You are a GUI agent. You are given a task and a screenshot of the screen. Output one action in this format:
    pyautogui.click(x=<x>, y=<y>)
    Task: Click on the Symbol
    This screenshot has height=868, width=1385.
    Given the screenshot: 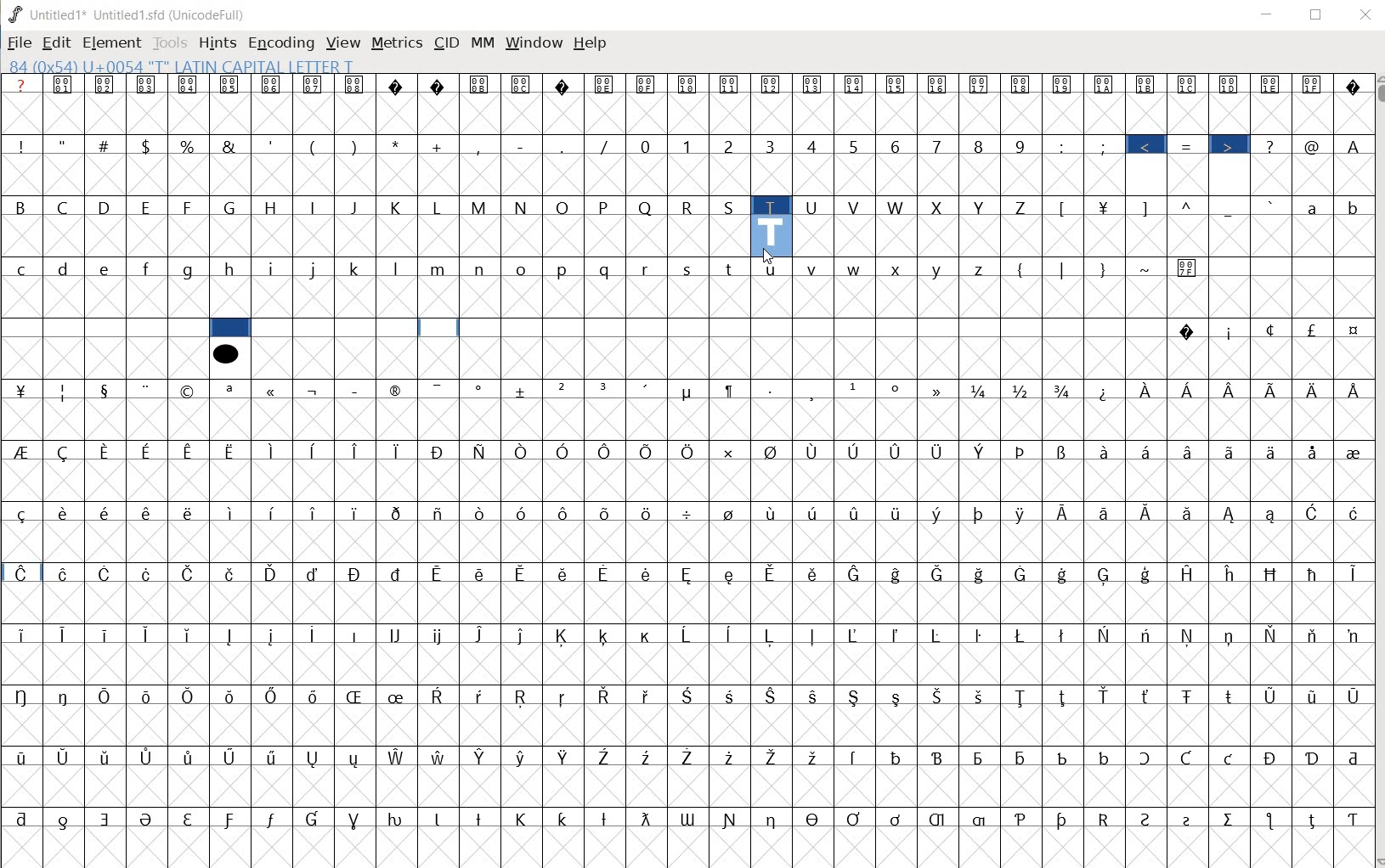 What is the action you would take?
    pyautogui.click(x=1105, y=450)
    